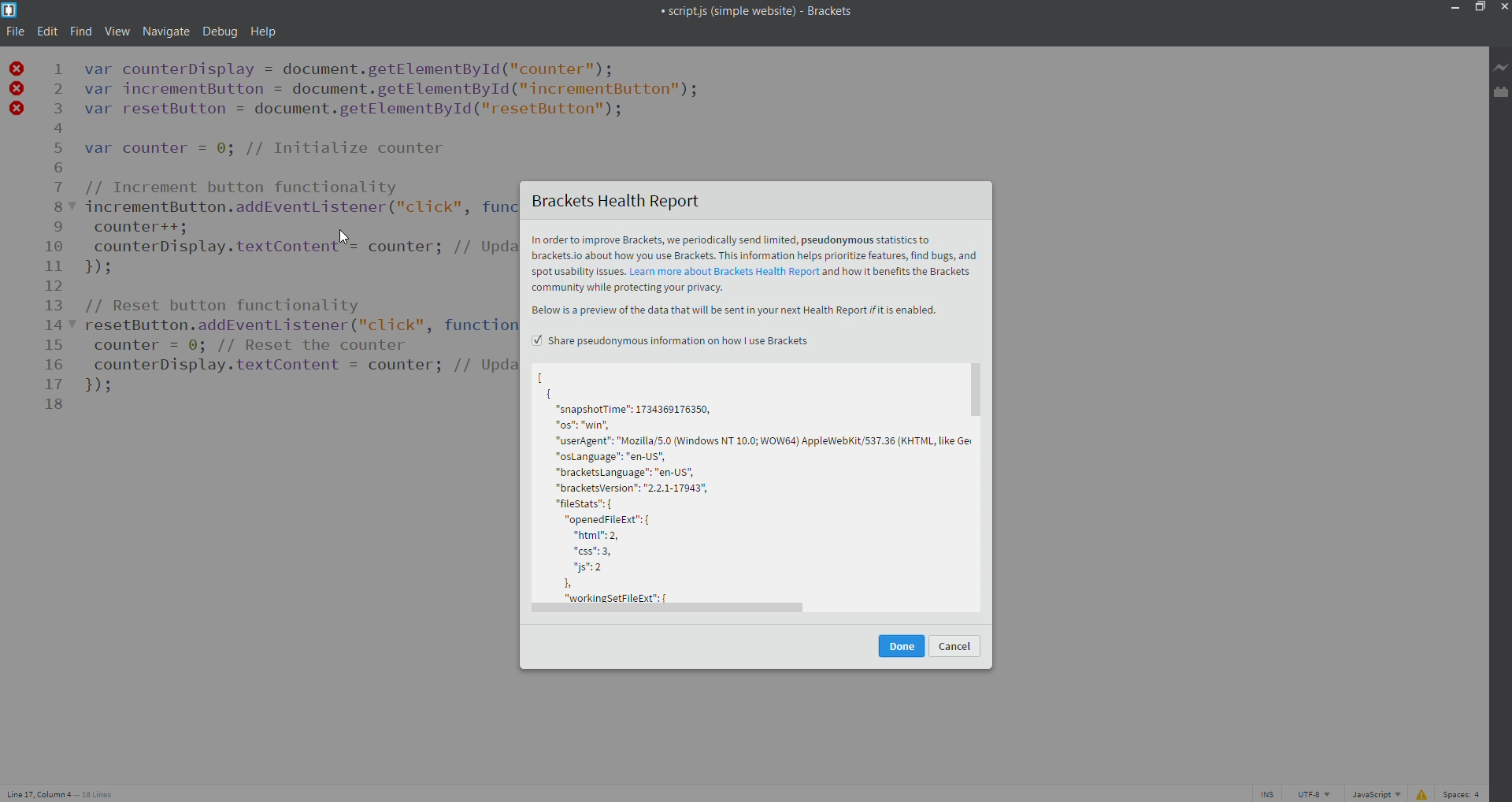 Image resolution: width=1512 pixels, height=802 pixels. Describe the element at coordinates (725, 273) in the screenshot. I see `hyperlink to learn more about this health report` at that location.